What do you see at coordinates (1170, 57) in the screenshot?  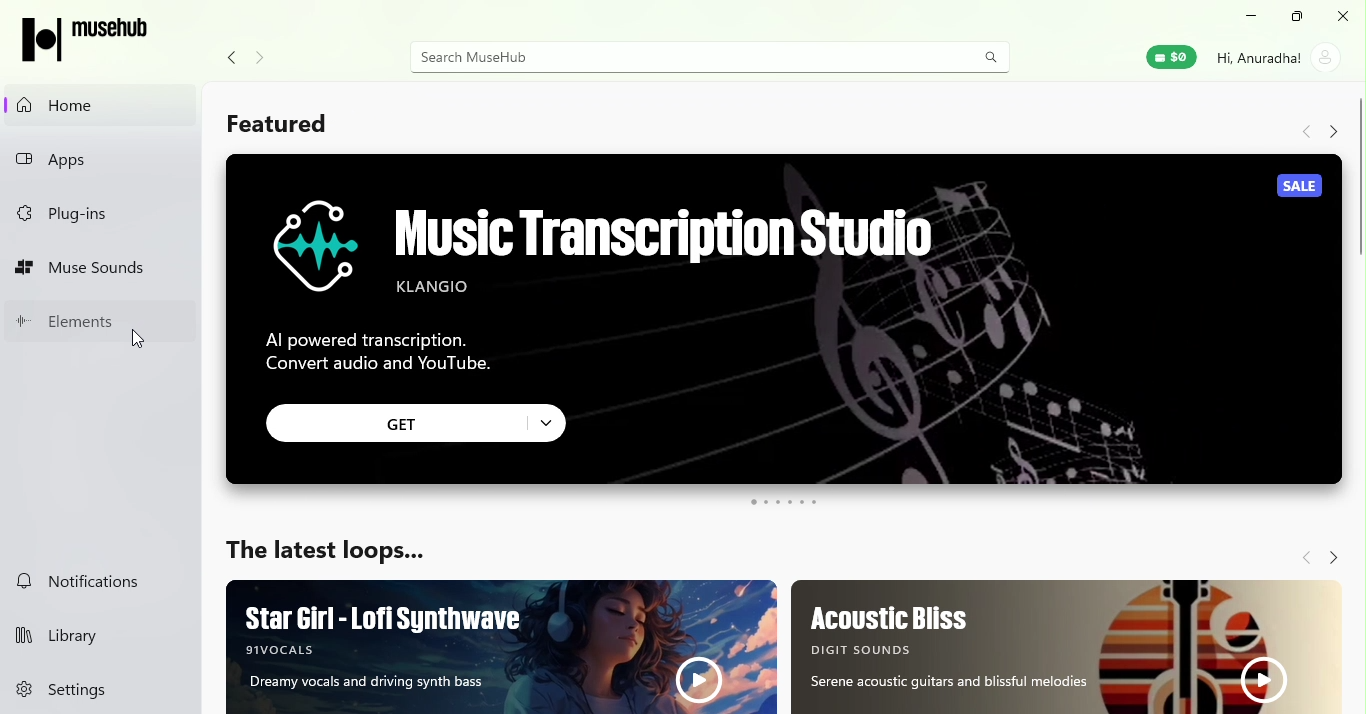 I see `Muse Wallet` at bounding box center [1170, 57].